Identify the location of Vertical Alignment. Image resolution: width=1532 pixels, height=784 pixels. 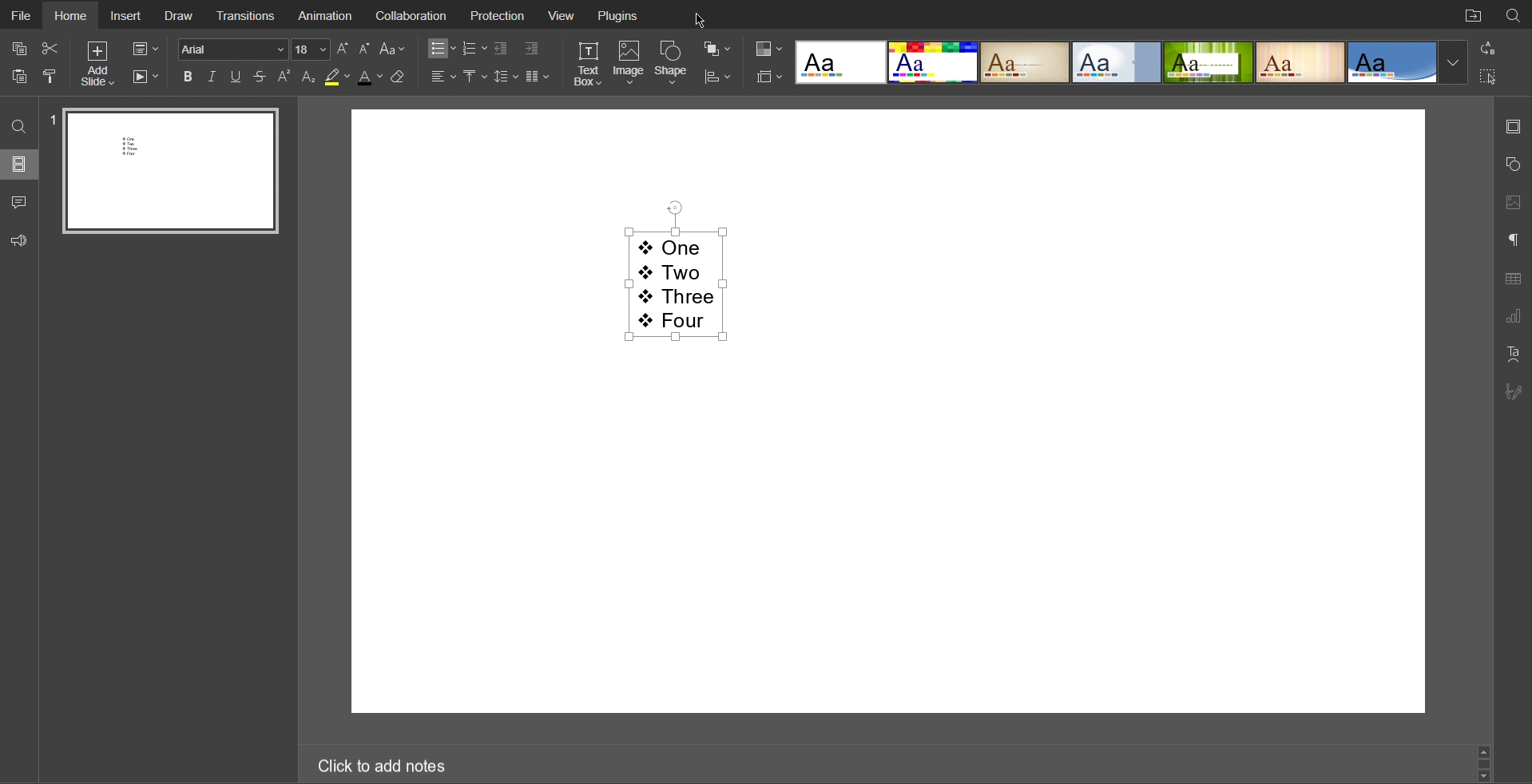
(473, 76).